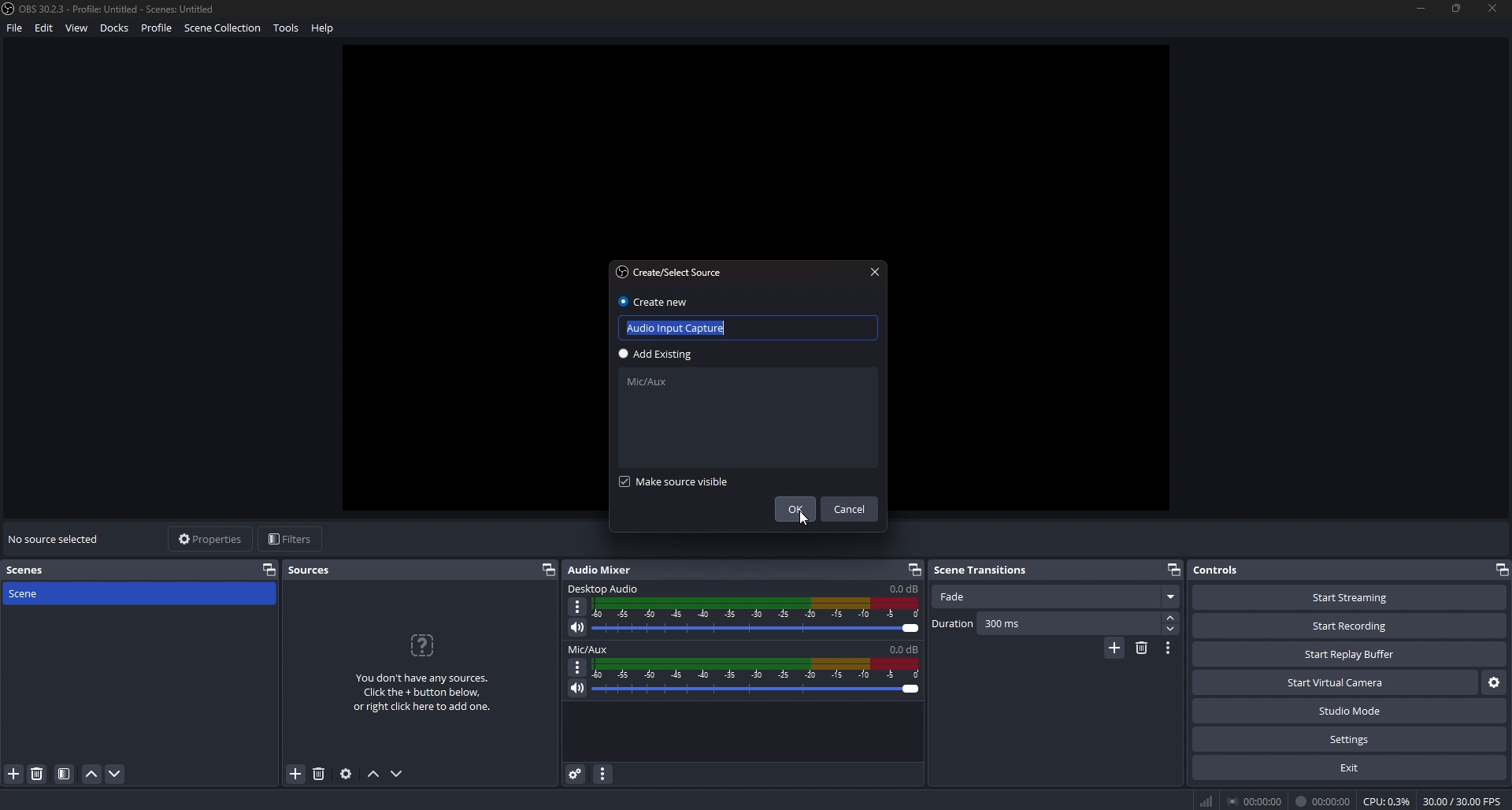 The width and height of the screenshot is (1512, 810). Describe the element at coordinates (1142, 647) in the screenshot. I see `remove transition` at that location.